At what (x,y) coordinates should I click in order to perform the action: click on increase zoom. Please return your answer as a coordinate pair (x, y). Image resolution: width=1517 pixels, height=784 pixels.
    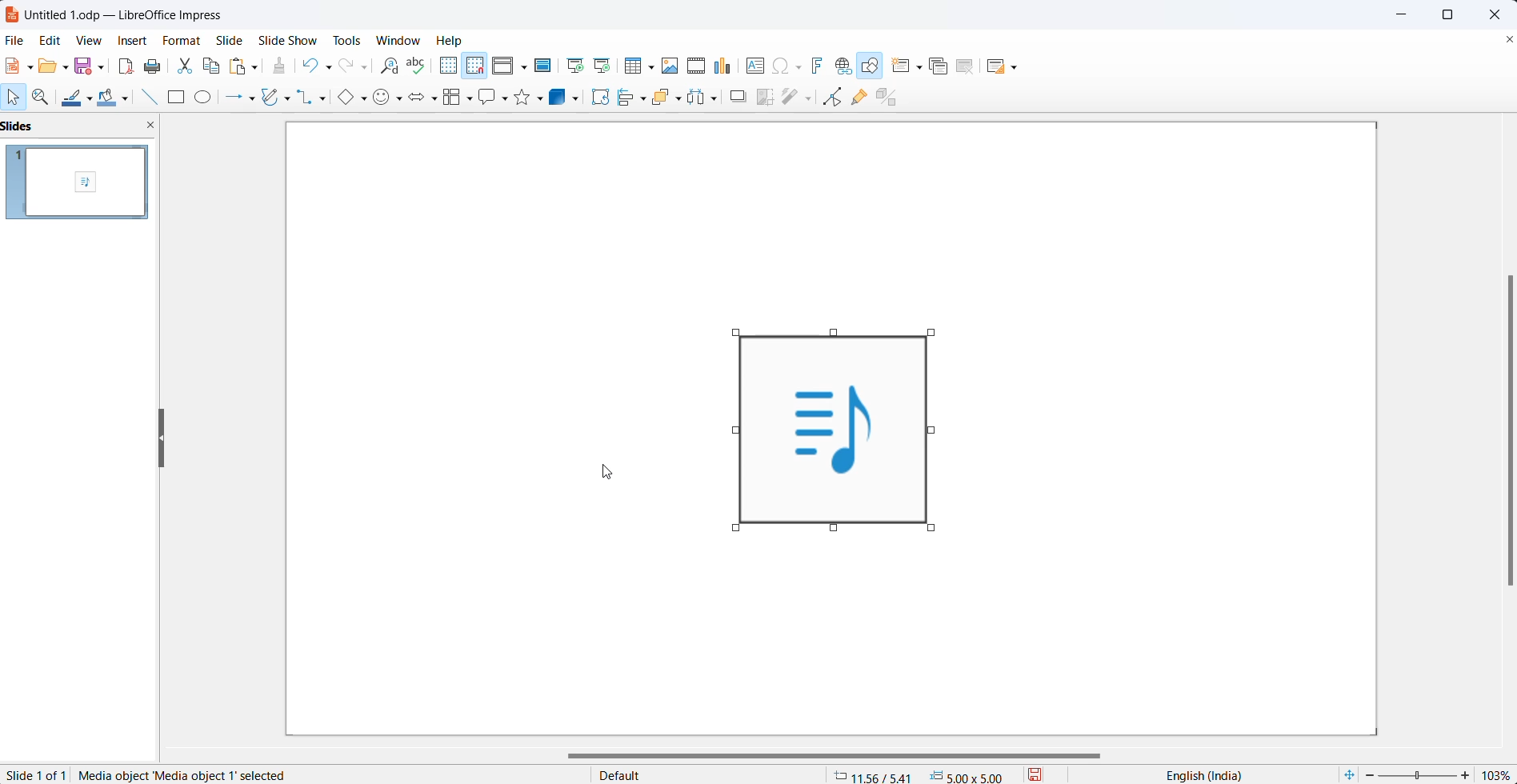
    Looking at the image, I should click on (1467, 774).